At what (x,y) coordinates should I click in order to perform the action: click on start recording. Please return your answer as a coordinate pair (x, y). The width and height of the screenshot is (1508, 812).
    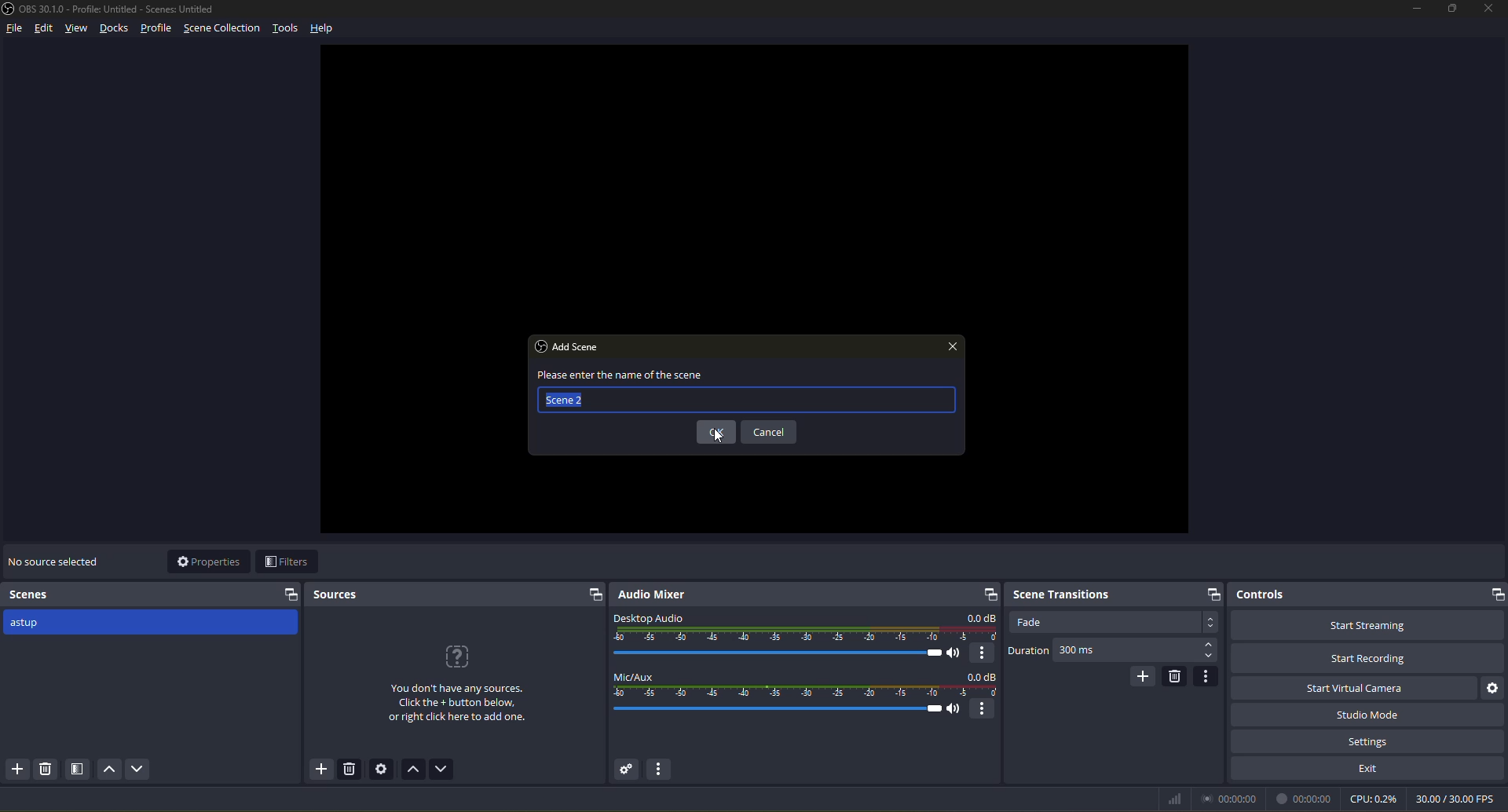
    Looking at the image, I should click on (1368, 657).